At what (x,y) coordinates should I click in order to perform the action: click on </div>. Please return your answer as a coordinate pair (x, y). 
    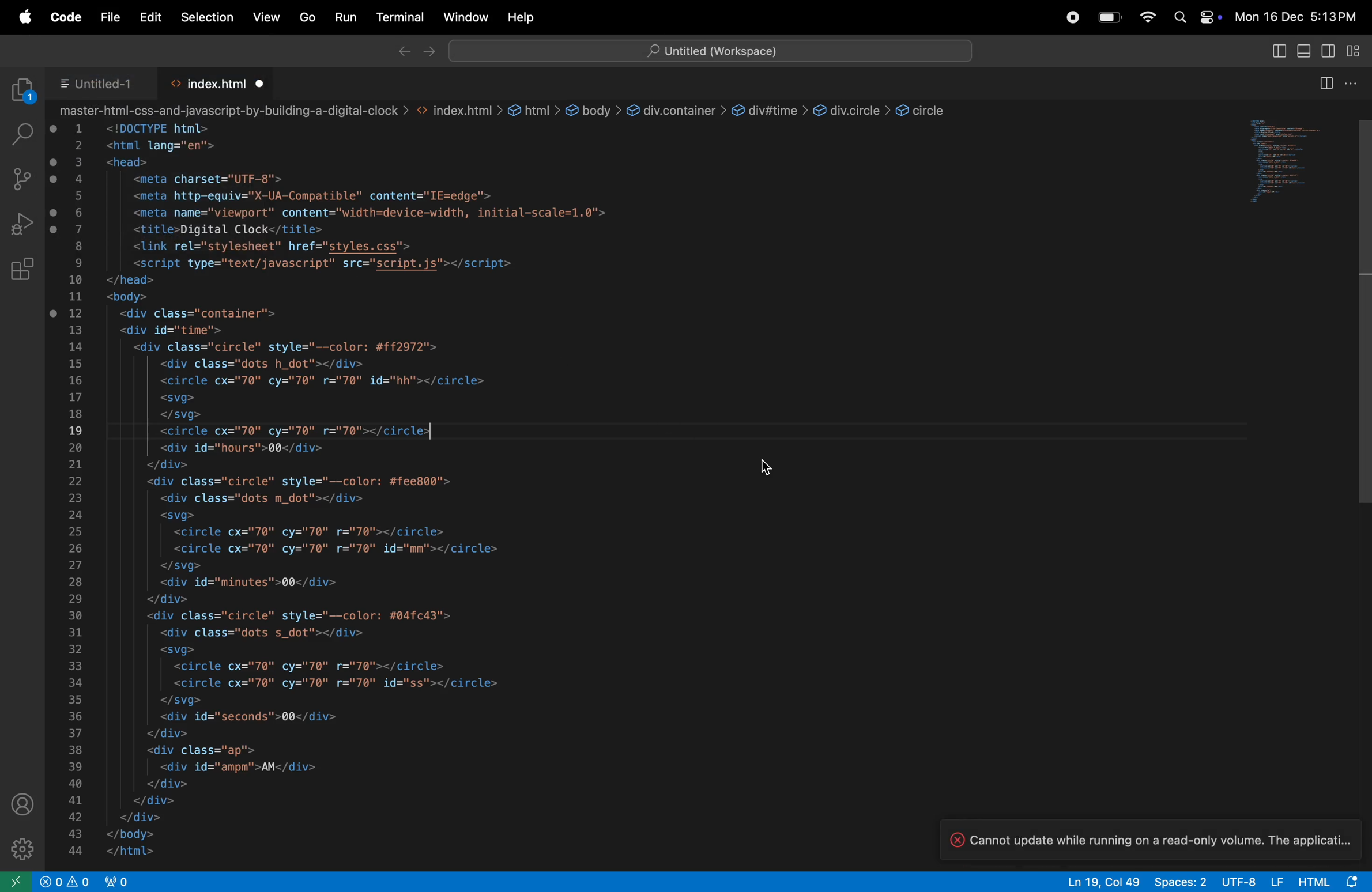
    Looking at the image, I should click on (168, 735).